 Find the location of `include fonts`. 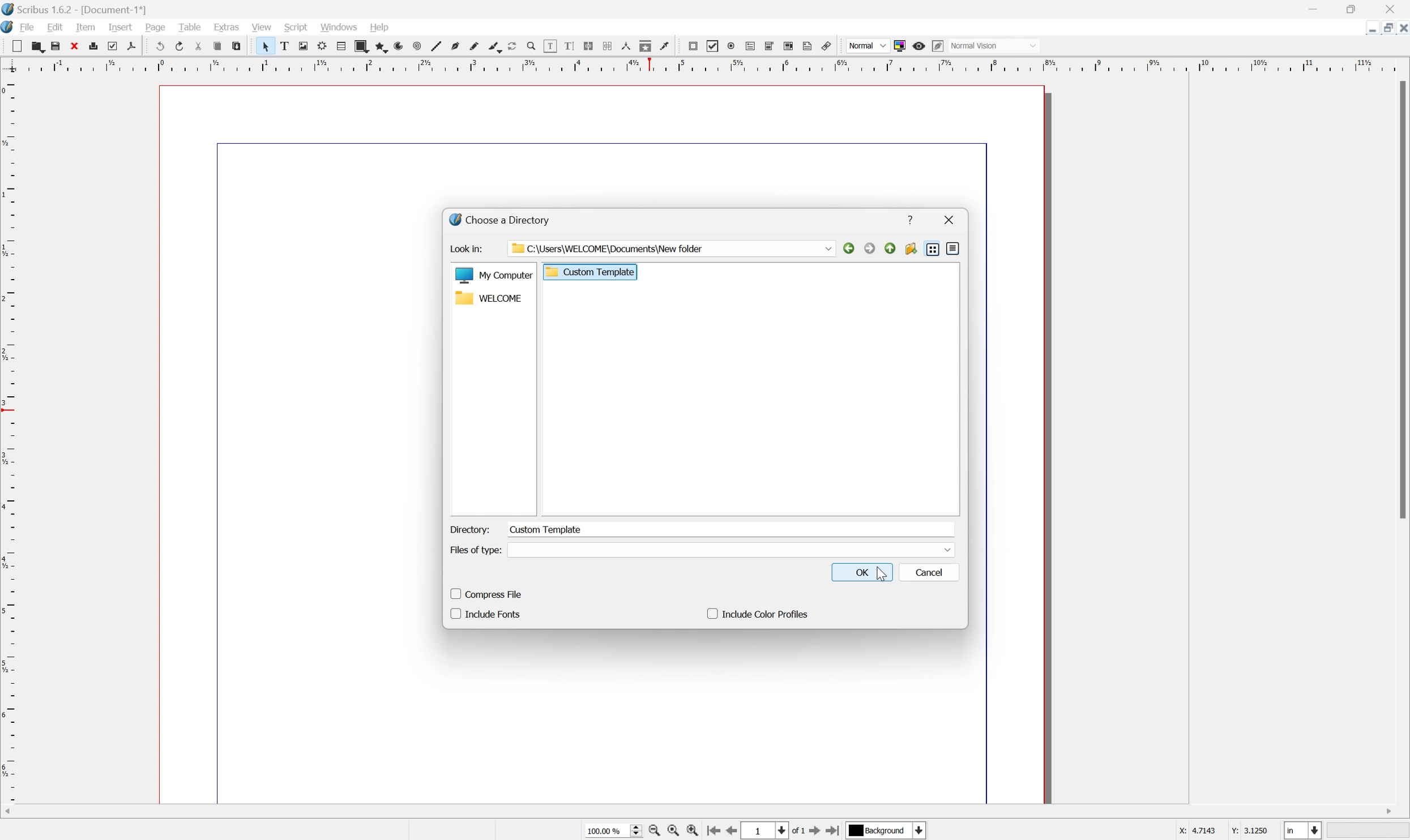

include fonts is located at coordinates (492, 614).